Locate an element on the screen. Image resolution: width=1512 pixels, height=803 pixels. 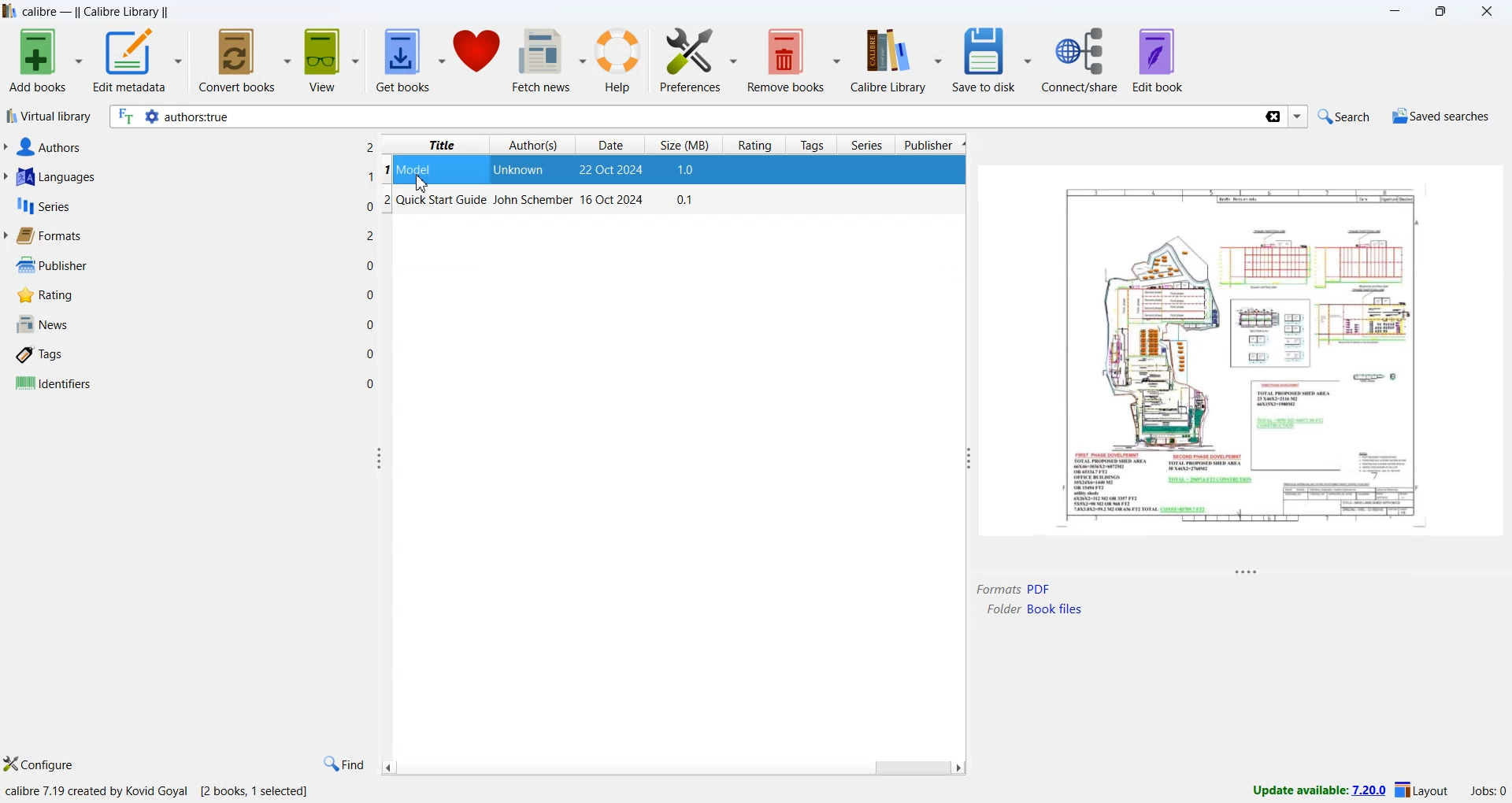
book-2 details is located at coordinates (542, 202).